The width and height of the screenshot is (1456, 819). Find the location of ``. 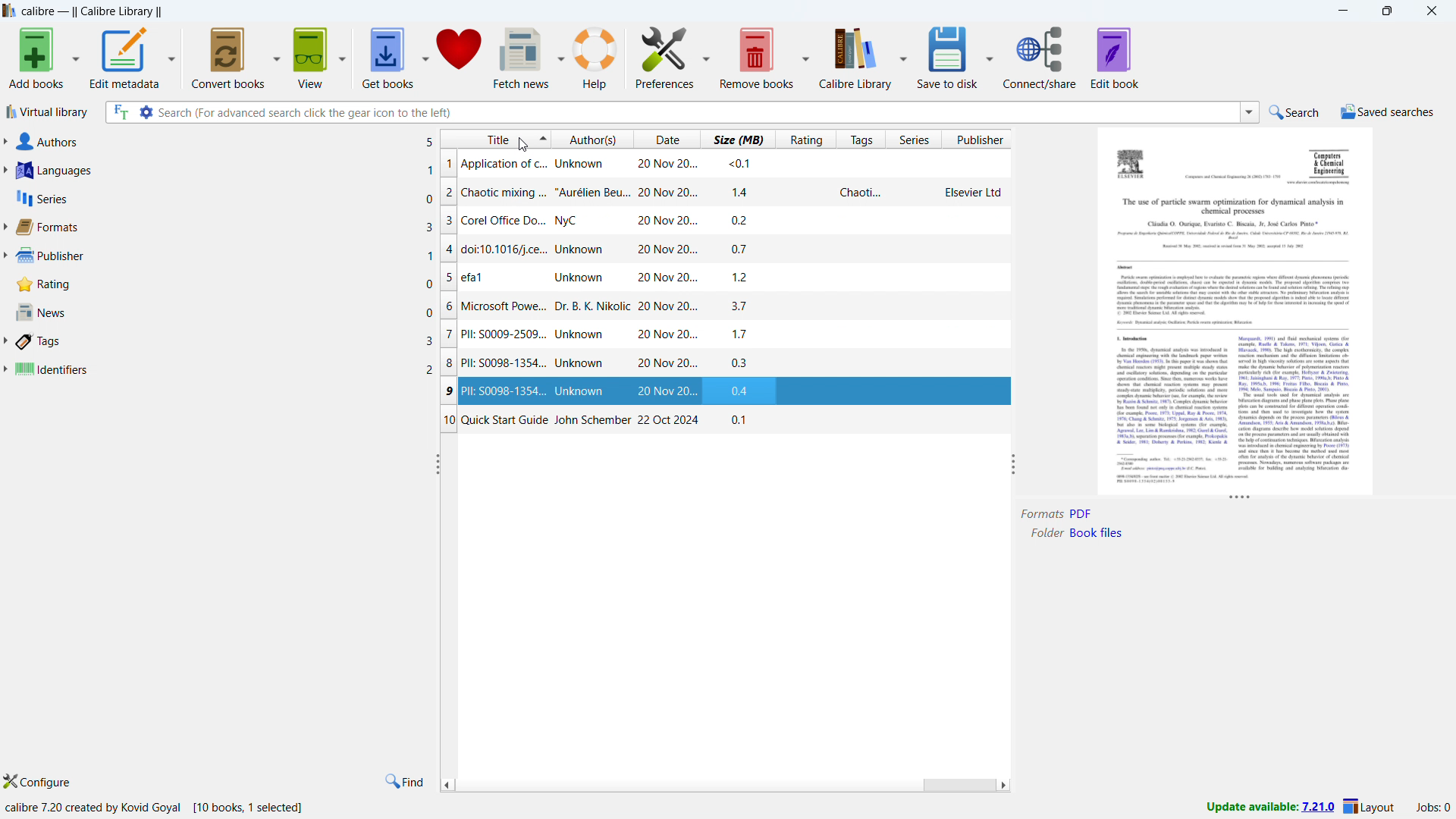

 is located at coordinates (1235, 177).